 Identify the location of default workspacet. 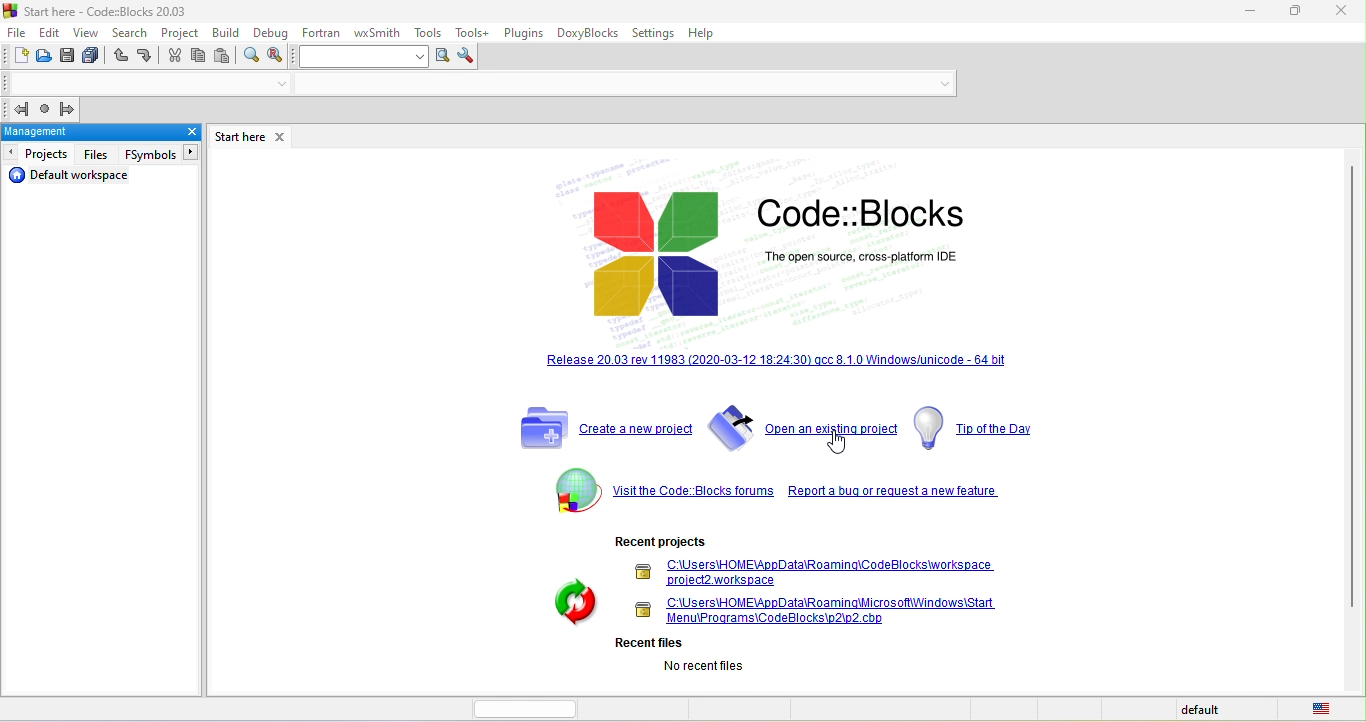
(75, 176).